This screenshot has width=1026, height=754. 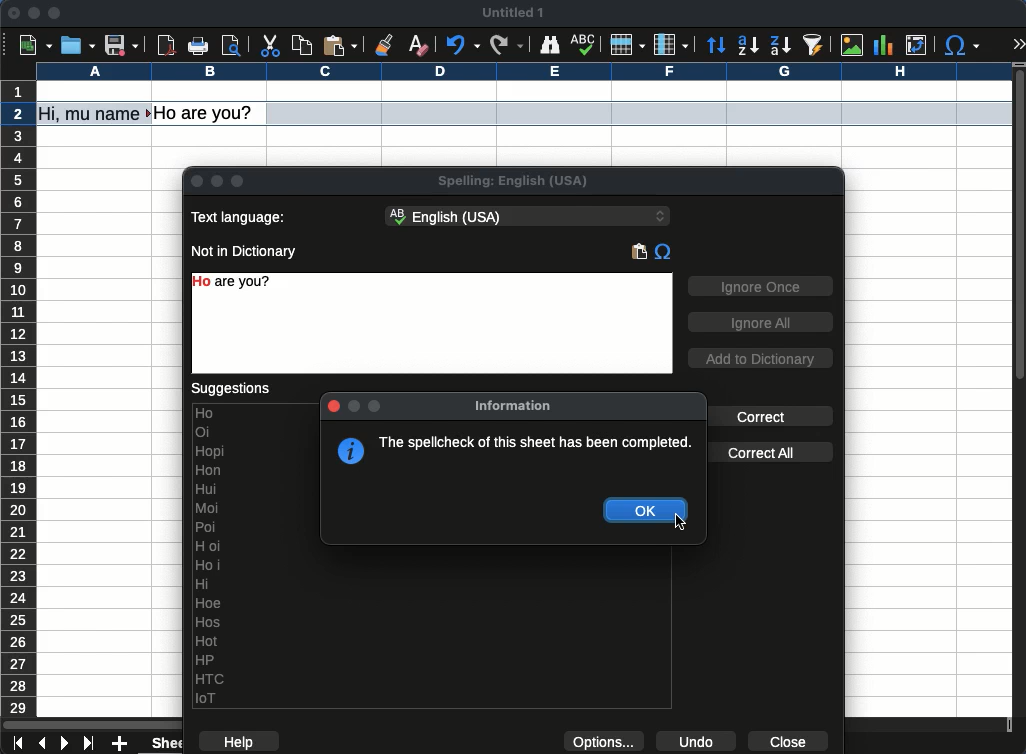 What do you see at coordinates (203, 432) in the screenshot?
I see `Oi` at bounding box center [203, 432].